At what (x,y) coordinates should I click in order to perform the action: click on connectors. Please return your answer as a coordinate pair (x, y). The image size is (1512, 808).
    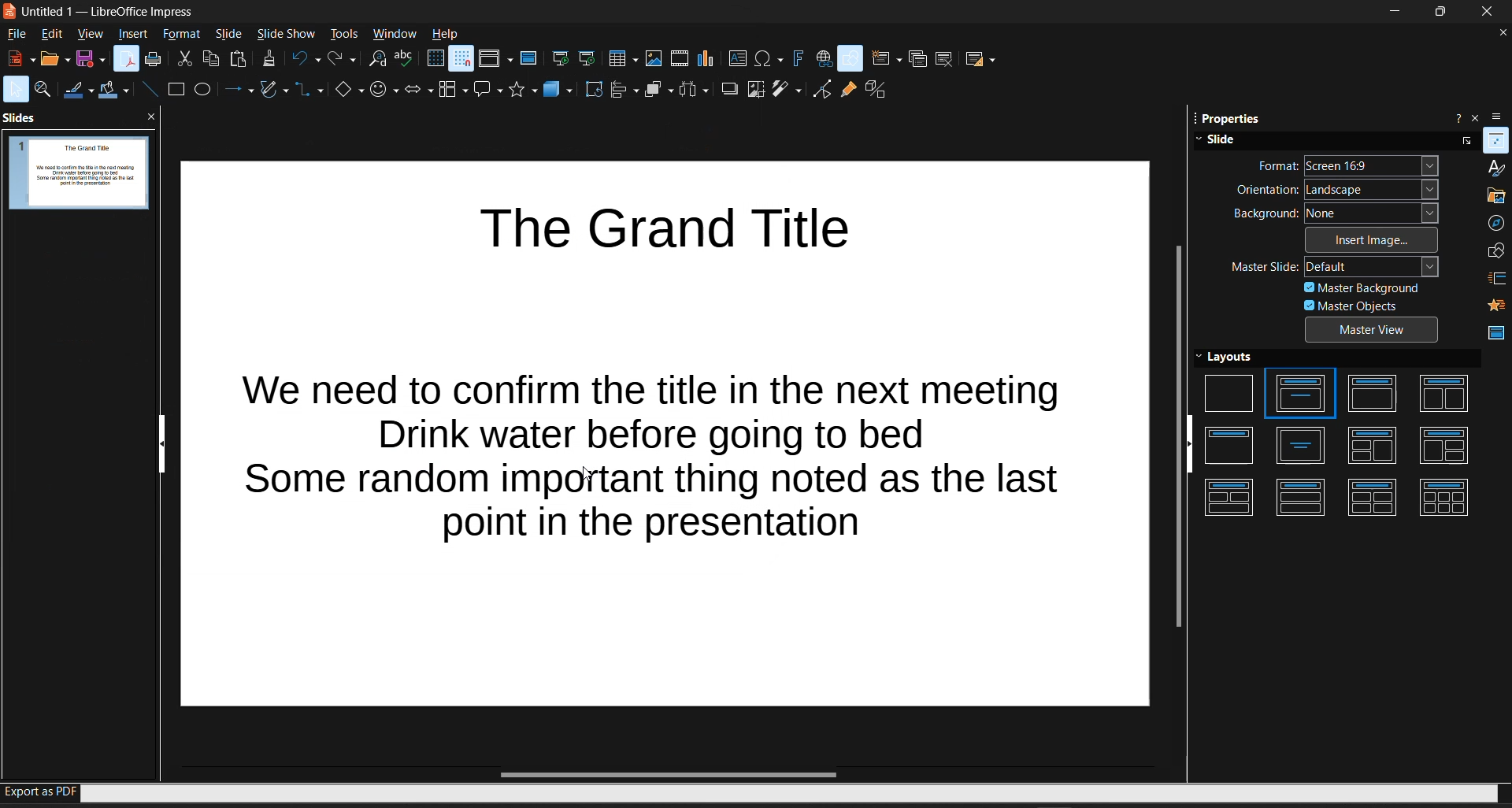
    Looking at the image, I should click on (307, 90).